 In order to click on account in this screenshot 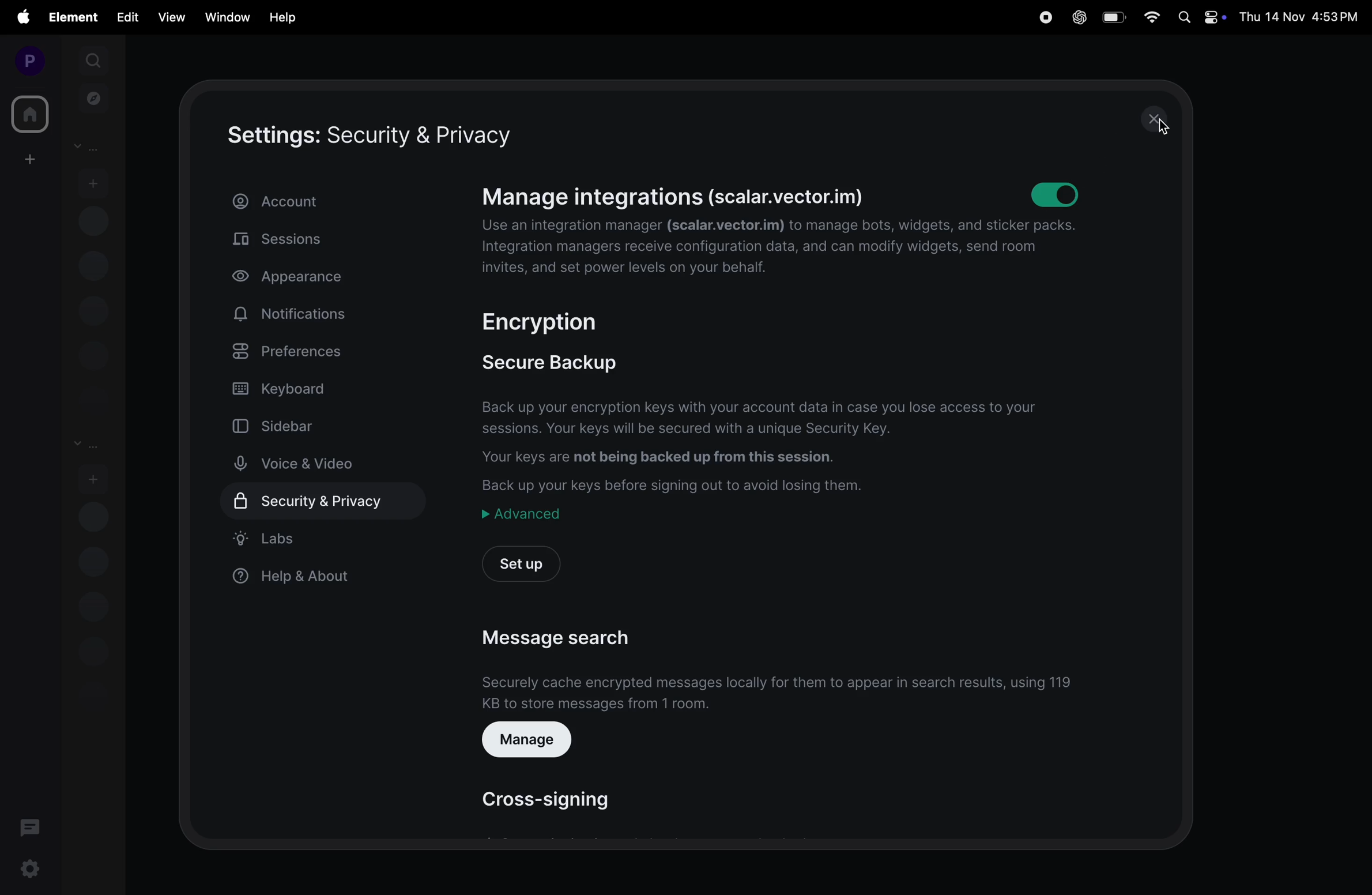, I will do `click(276, 205)`.